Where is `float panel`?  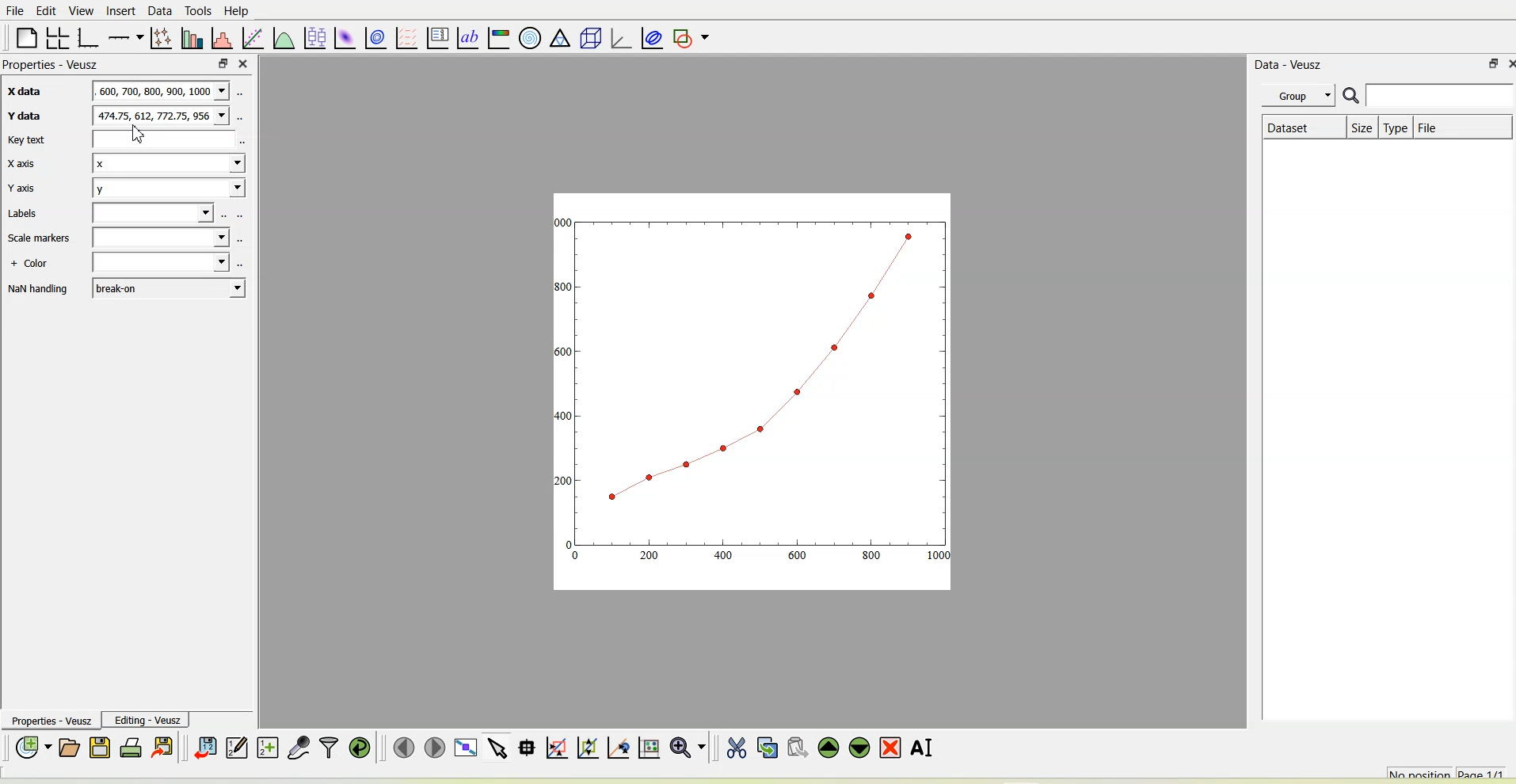 float panel is located at coordinates (1490, 64).